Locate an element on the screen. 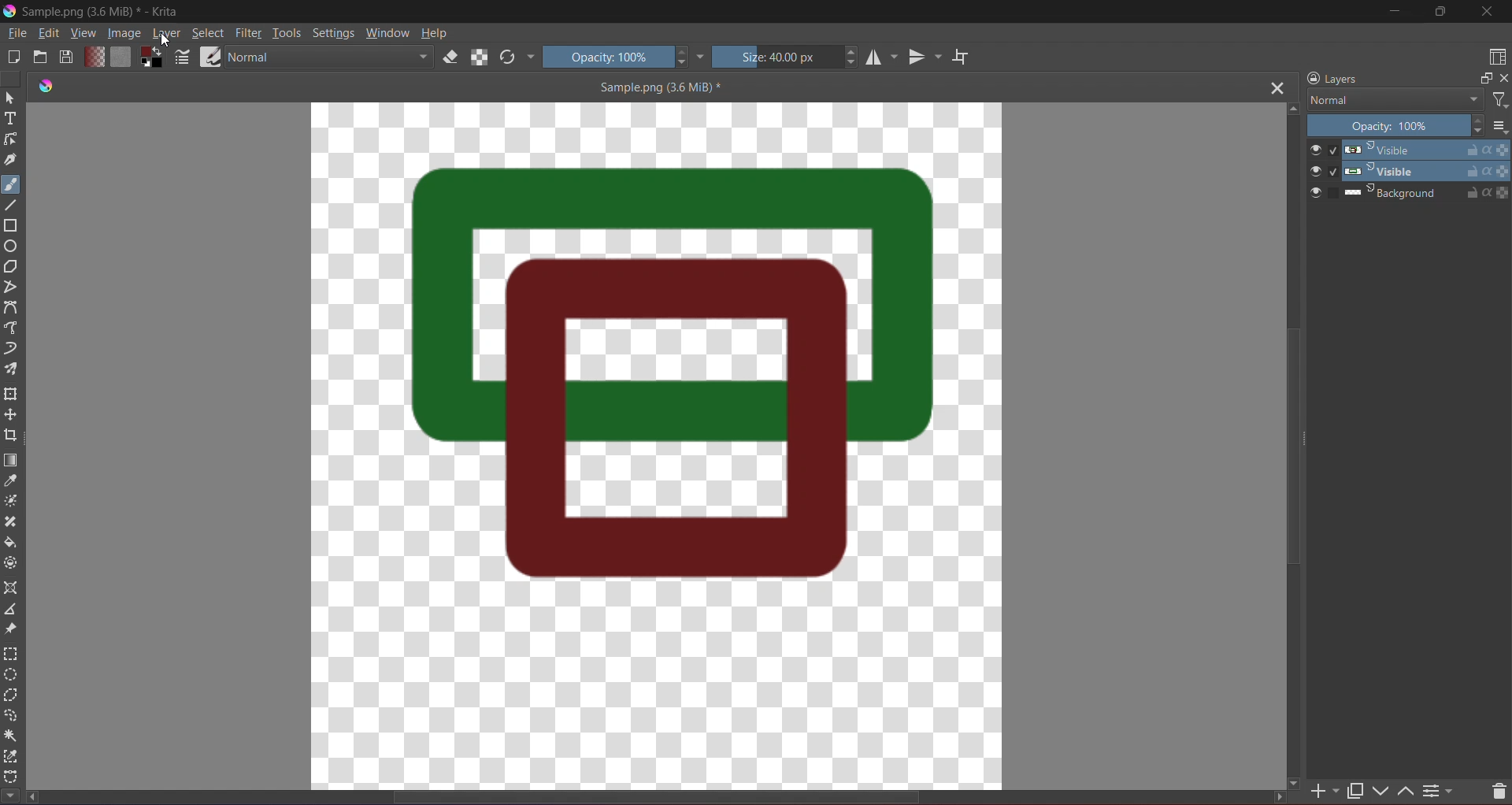 The width and height of the screenshot is (1512, 805). Freehand Brush is located at coordinates (11, 182).